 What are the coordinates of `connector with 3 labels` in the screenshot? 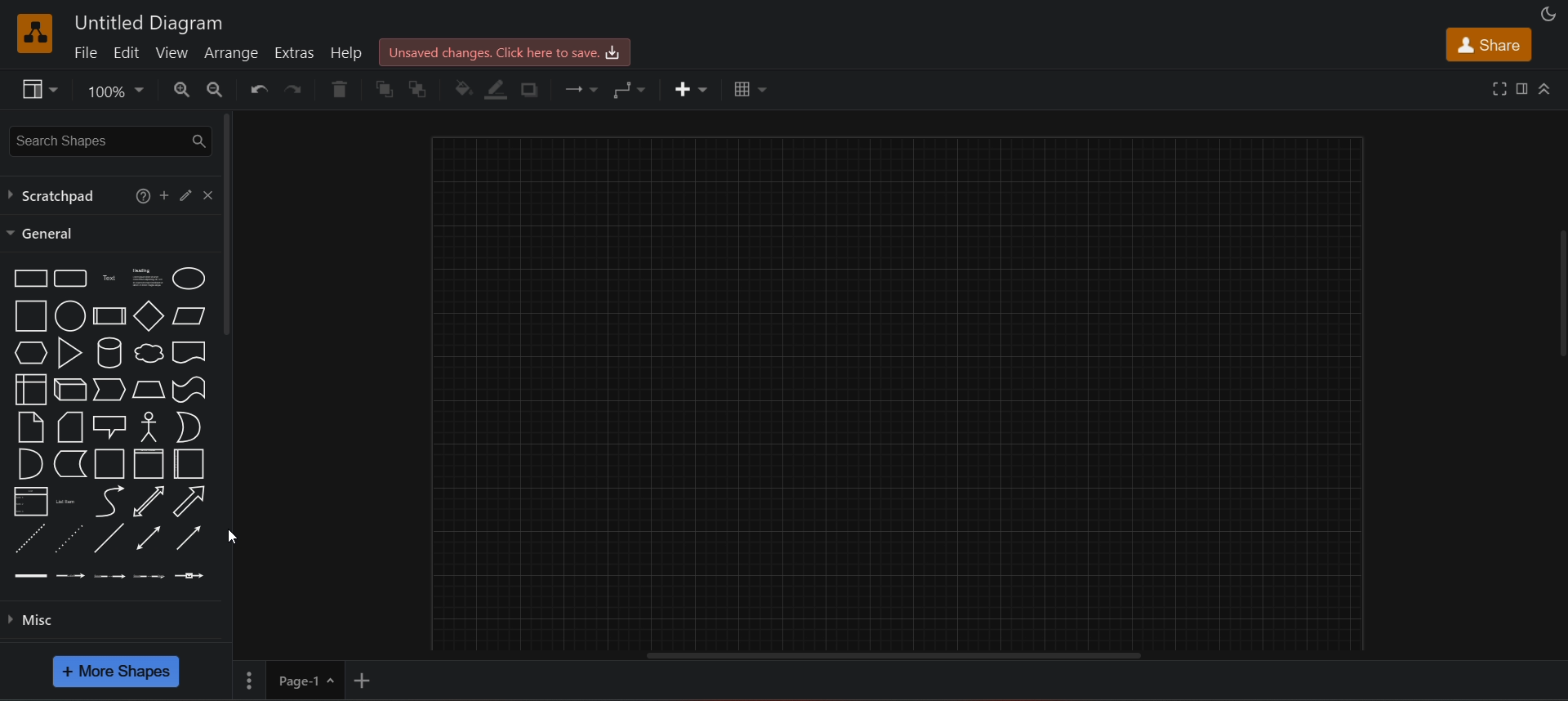 It's located at (149, 576).